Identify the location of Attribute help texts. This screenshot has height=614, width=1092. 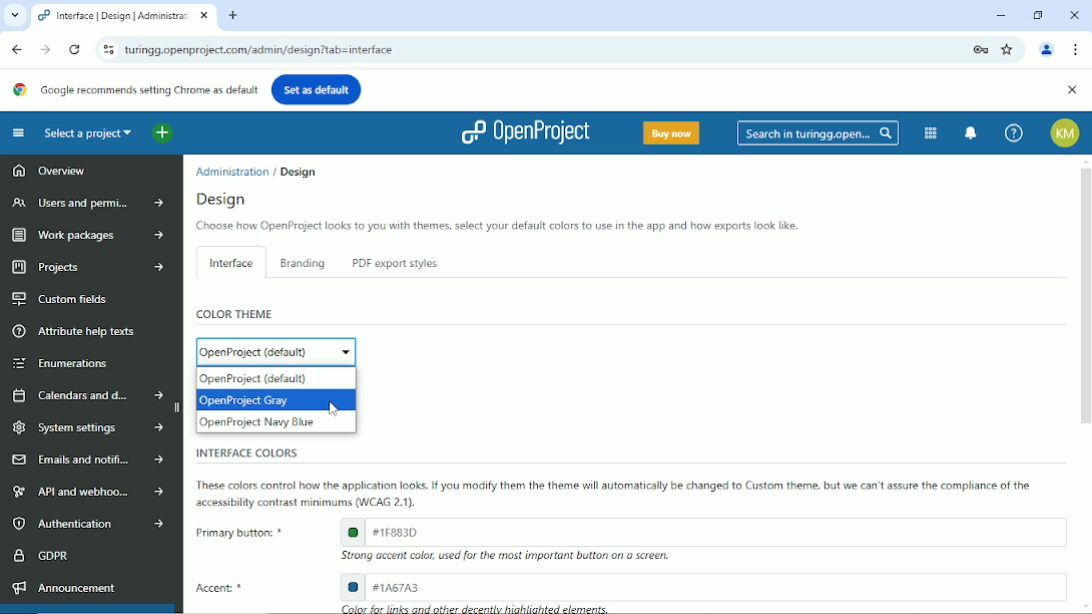
(78, 331).